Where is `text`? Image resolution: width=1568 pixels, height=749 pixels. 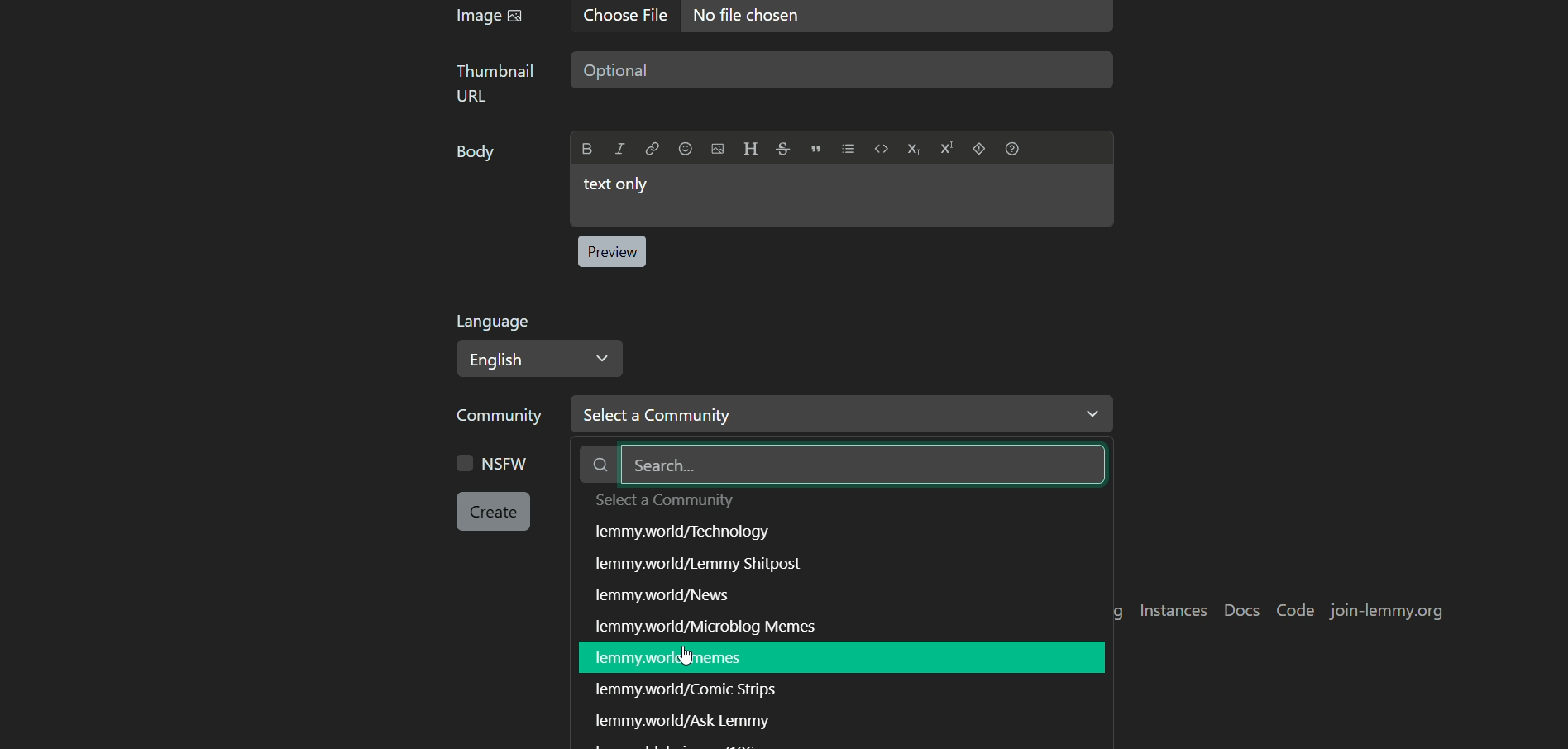
text is located at coordinates (720, 625).